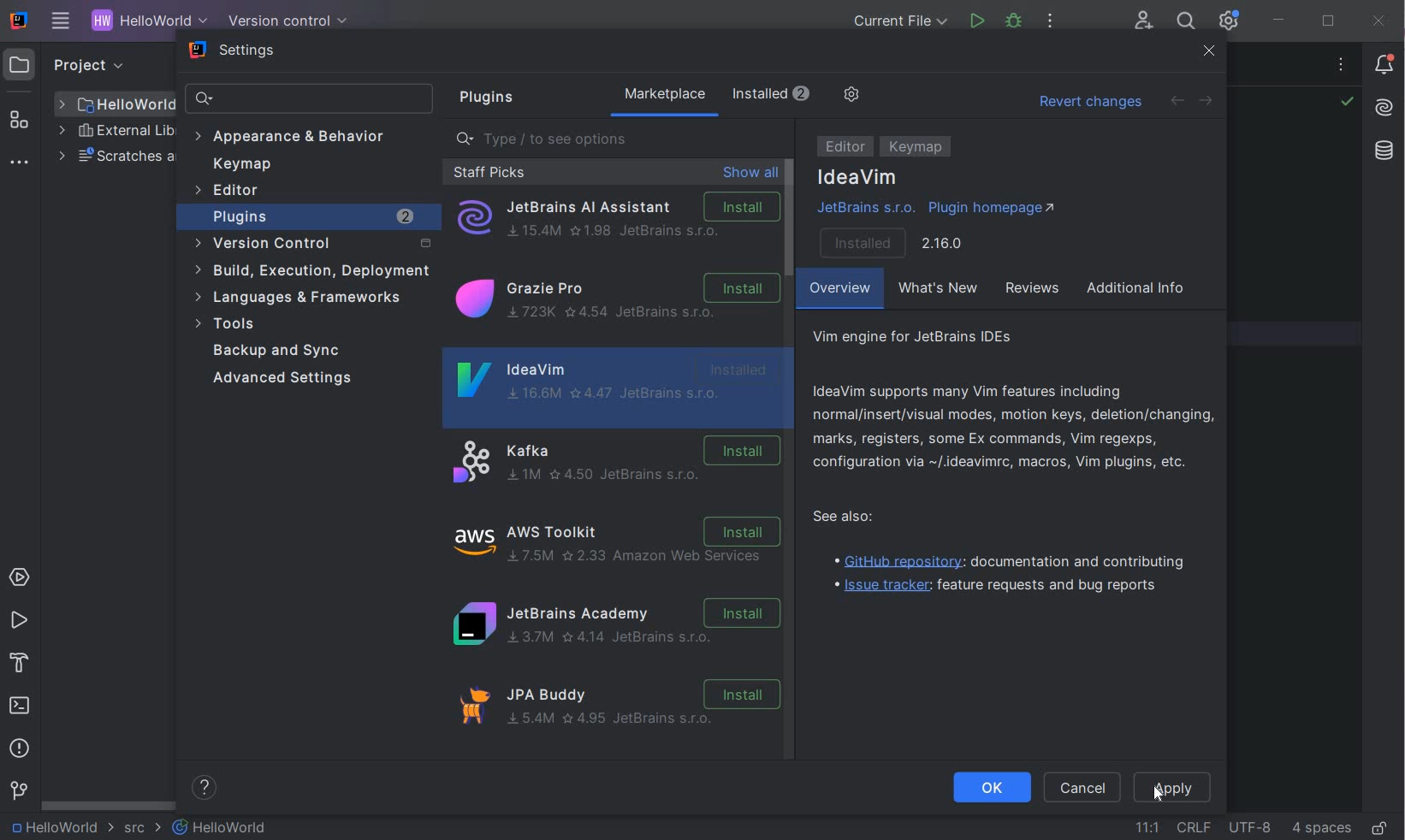  What do you see at coordinates (940, 290) in the screenshot?
I see `what's new` at bounding box center [940, 290].